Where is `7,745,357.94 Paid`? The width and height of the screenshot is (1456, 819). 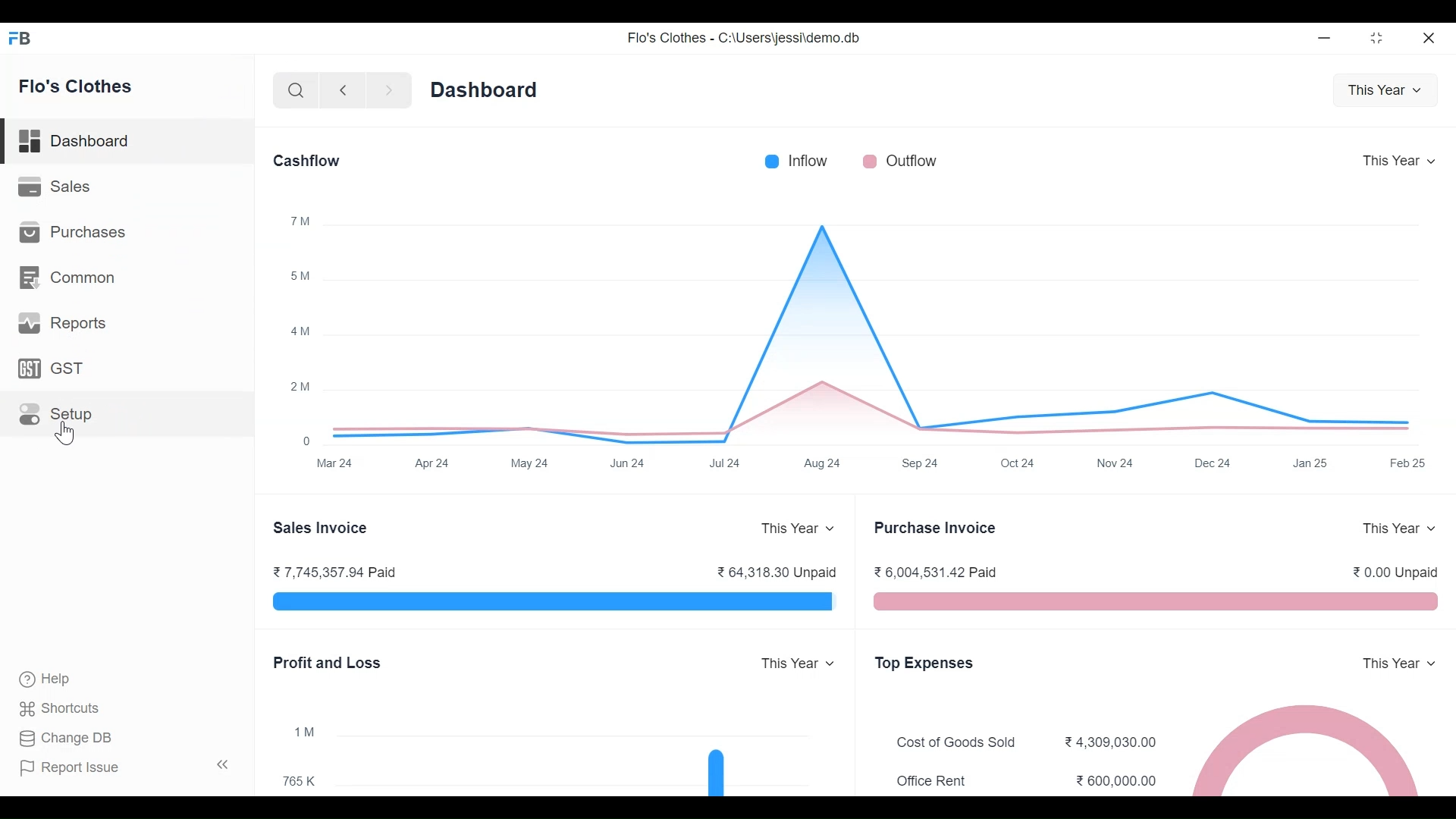
7,745,357.94 Paid is located at coordinates (342, 572).